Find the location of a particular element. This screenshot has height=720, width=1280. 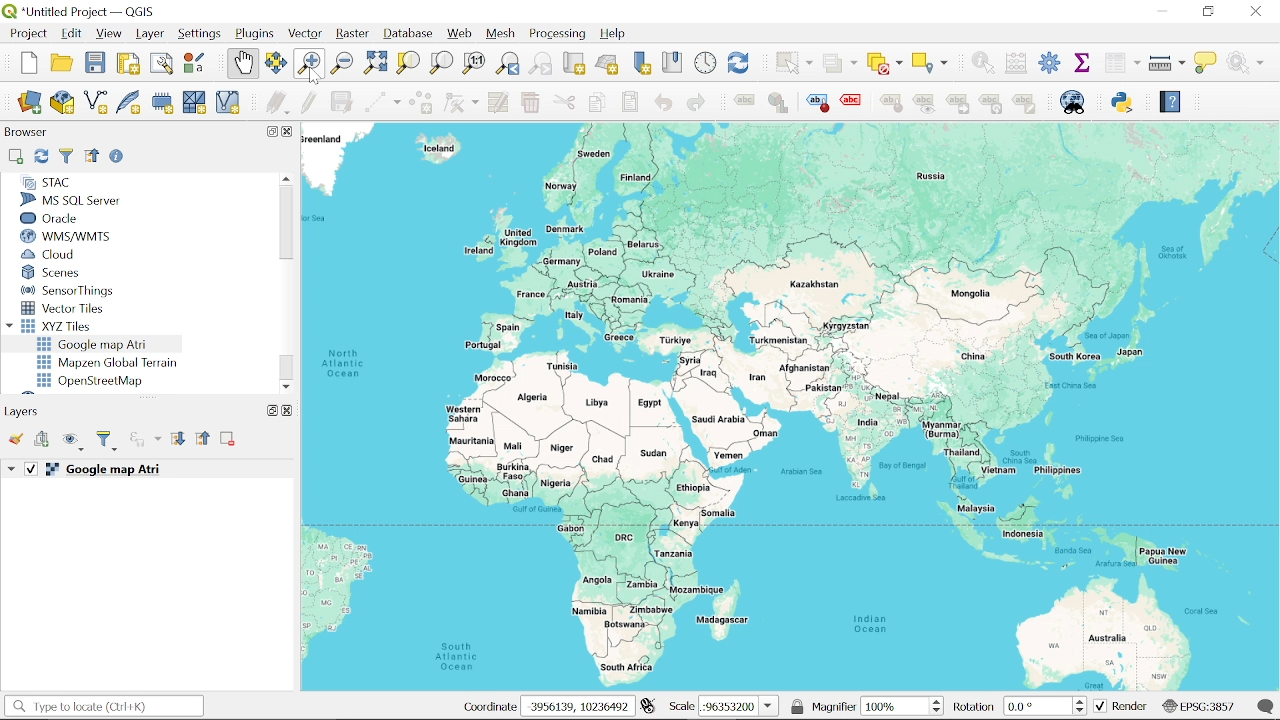

Magnifier is located at coordinates (895, 706).